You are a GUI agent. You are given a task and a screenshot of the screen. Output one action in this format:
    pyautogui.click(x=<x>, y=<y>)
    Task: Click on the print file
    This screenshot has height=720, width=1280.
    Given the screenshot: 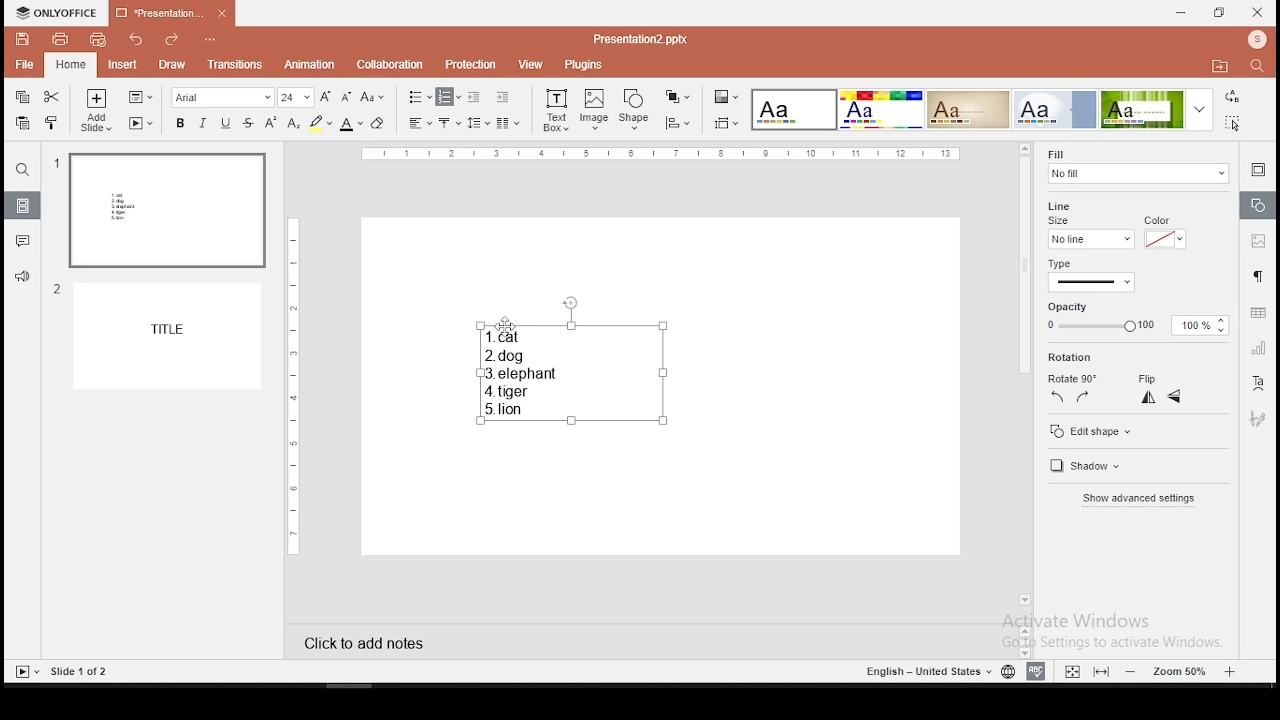 What is the action you would take?
    pyautogui.click(x=57, y=39)
    